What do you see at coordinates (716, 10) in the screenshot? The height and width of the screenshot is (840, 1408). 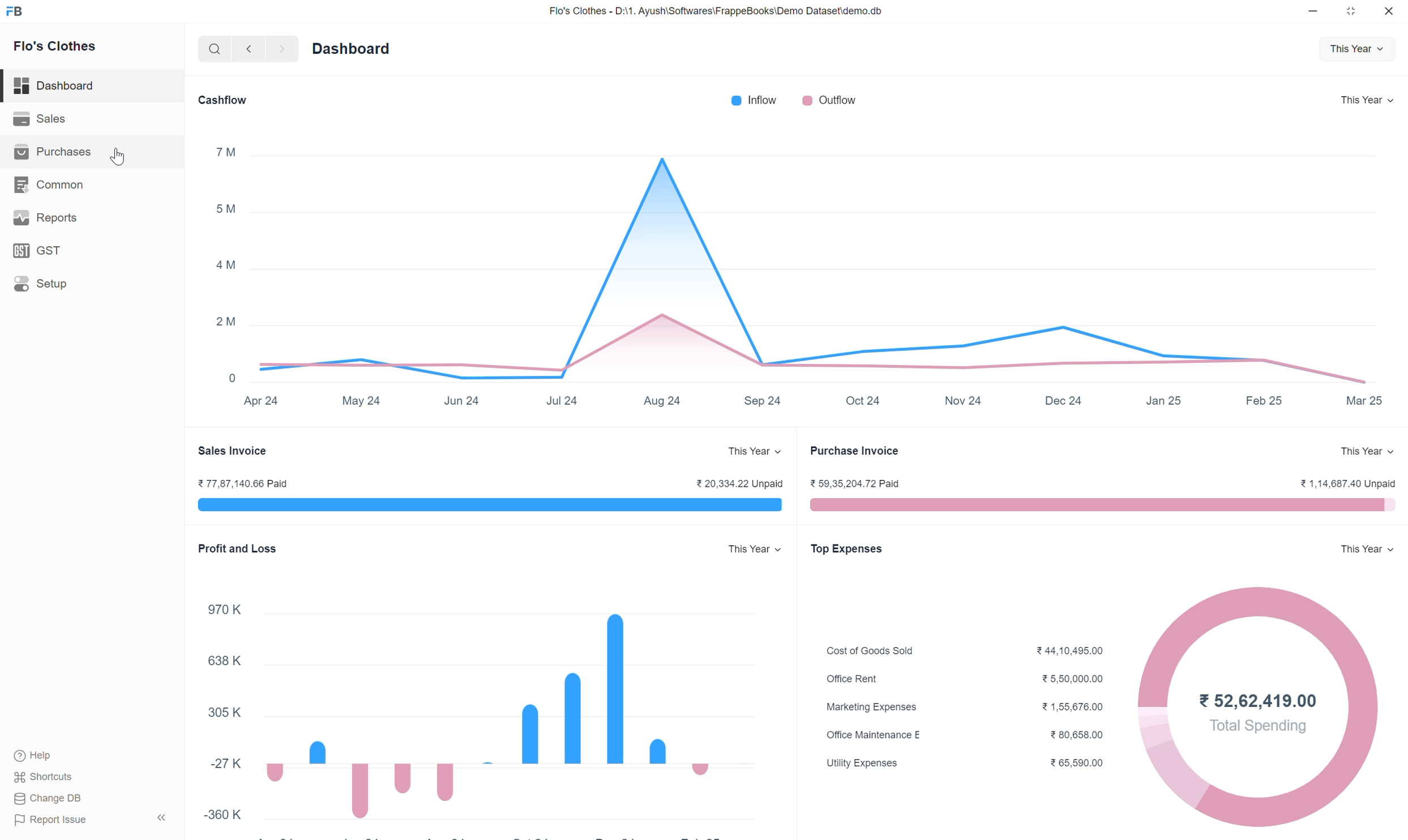 I see `Flo's Clothes - D:\1. Ayush\Softwares\FrappeBooks\Demo Dataset\demo.db` at bounding box center [716, 10].